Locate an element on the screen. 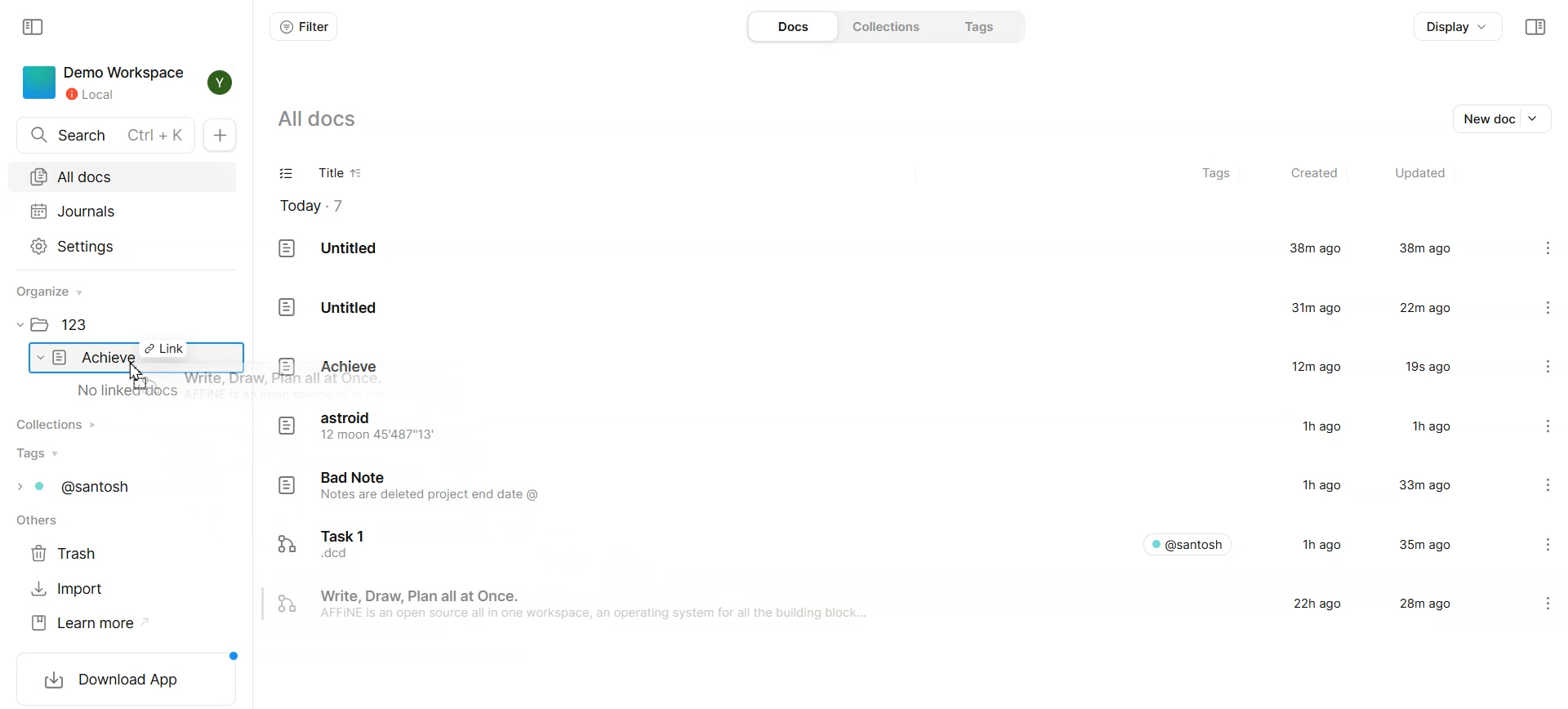 The image size is (1568, 709). Organize is located at coordinates (57, 292).